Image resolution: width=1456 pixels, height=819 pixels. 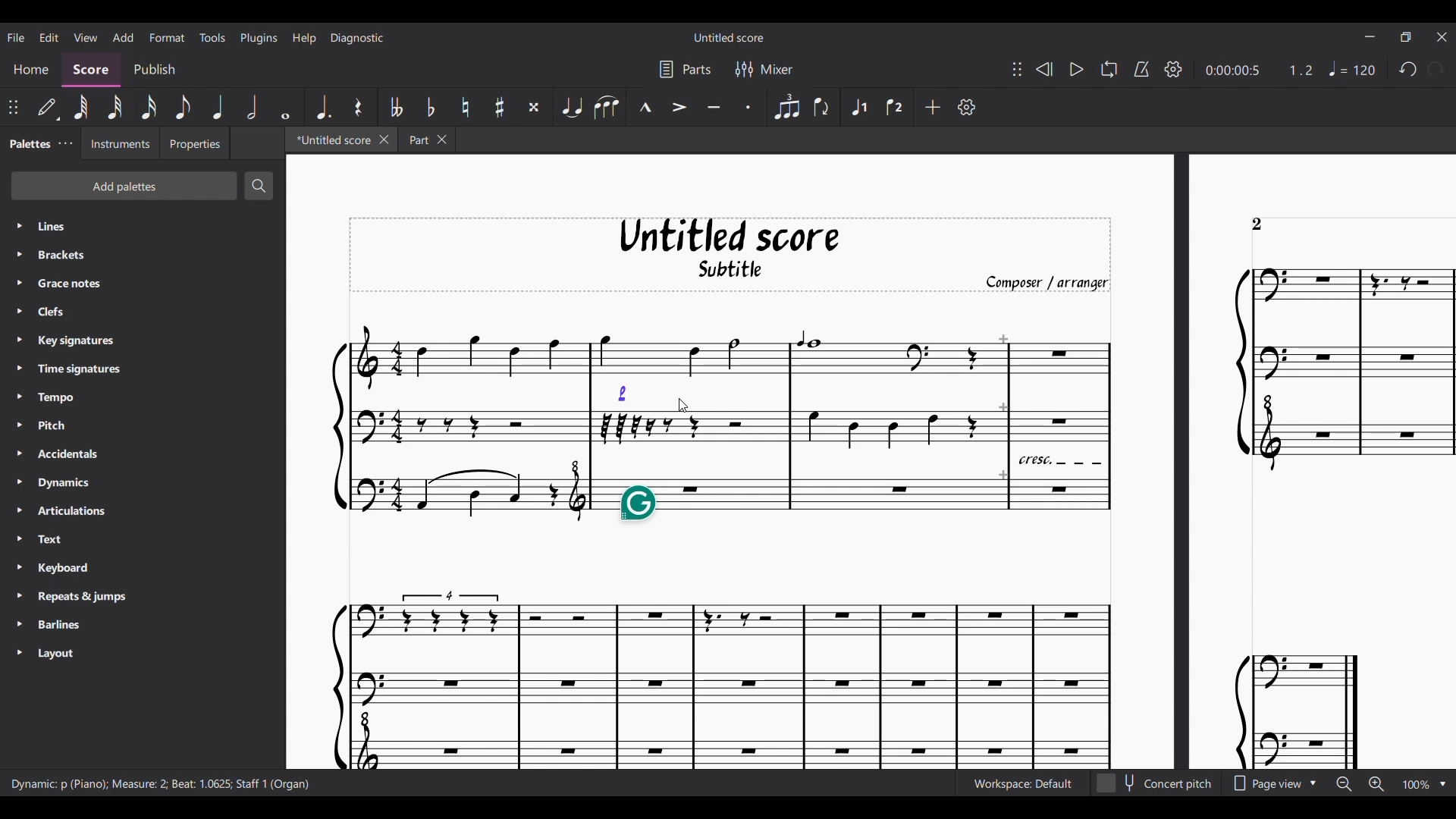 I want to click on Zoom in, so click(x=1376, y=784).